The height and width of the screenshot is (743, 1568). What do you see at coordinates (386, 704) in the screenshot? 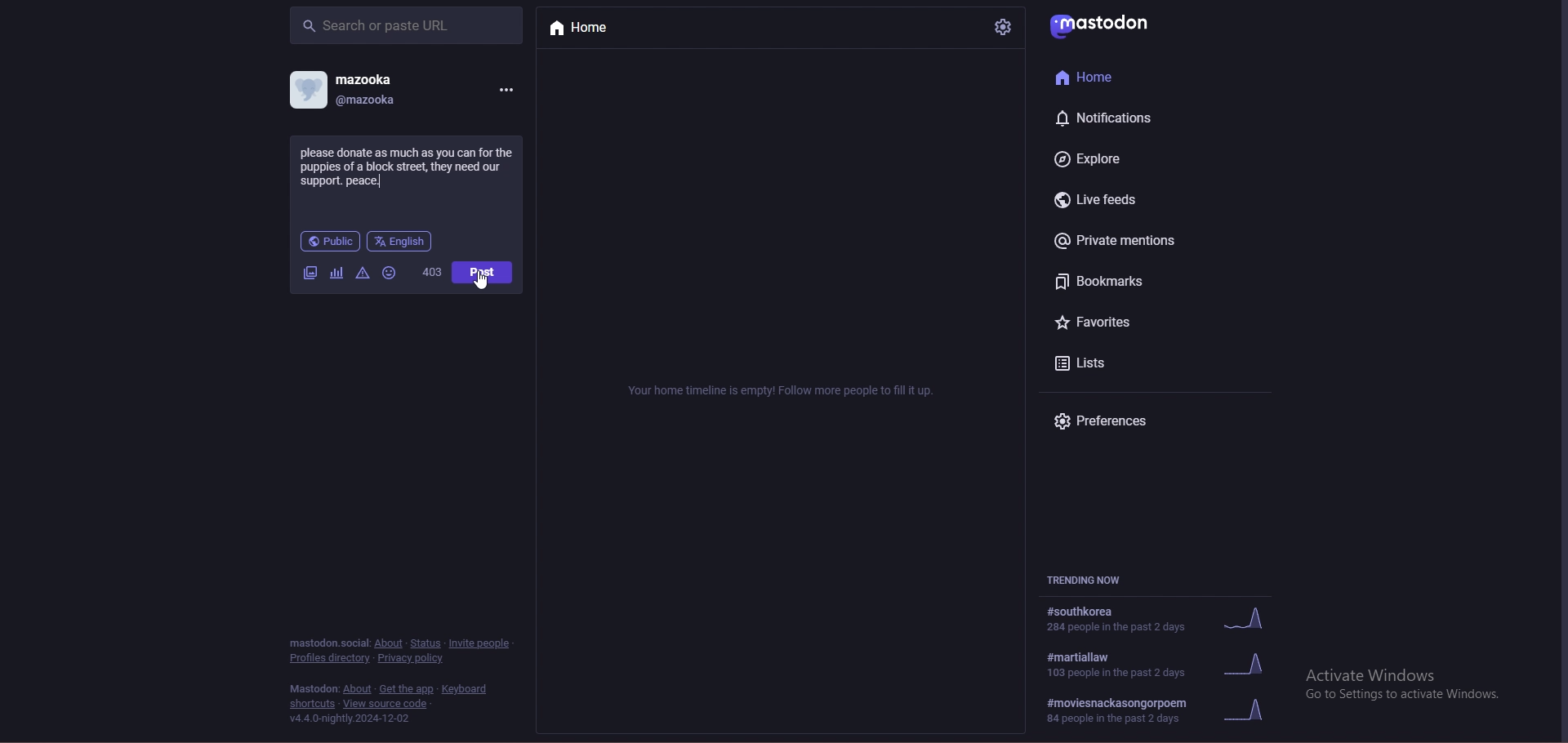
I see `view source code` at bounding box center [386, 704].